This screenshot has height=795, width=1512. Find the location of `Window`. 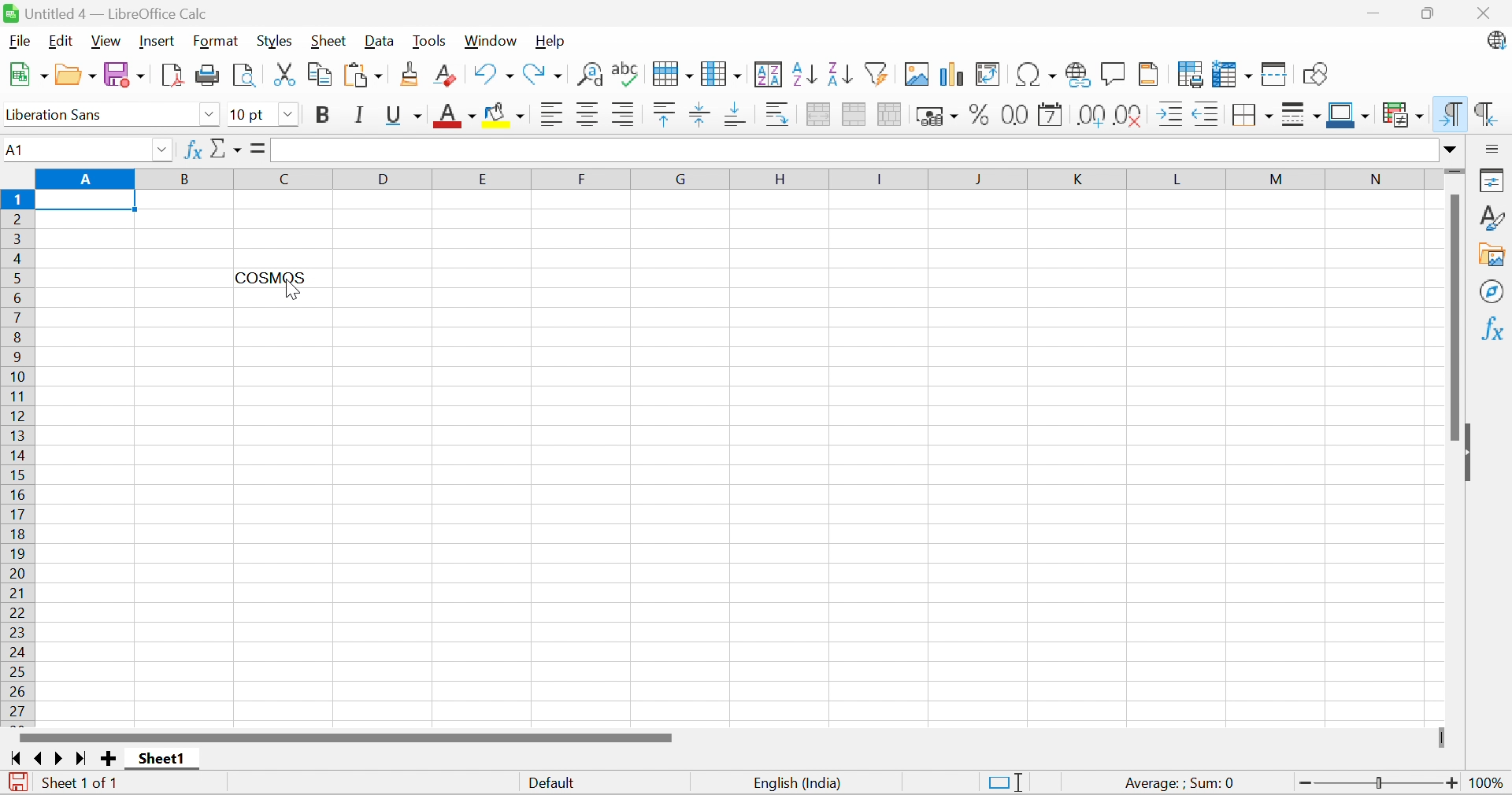

Window is located at coordinates (494, 40).